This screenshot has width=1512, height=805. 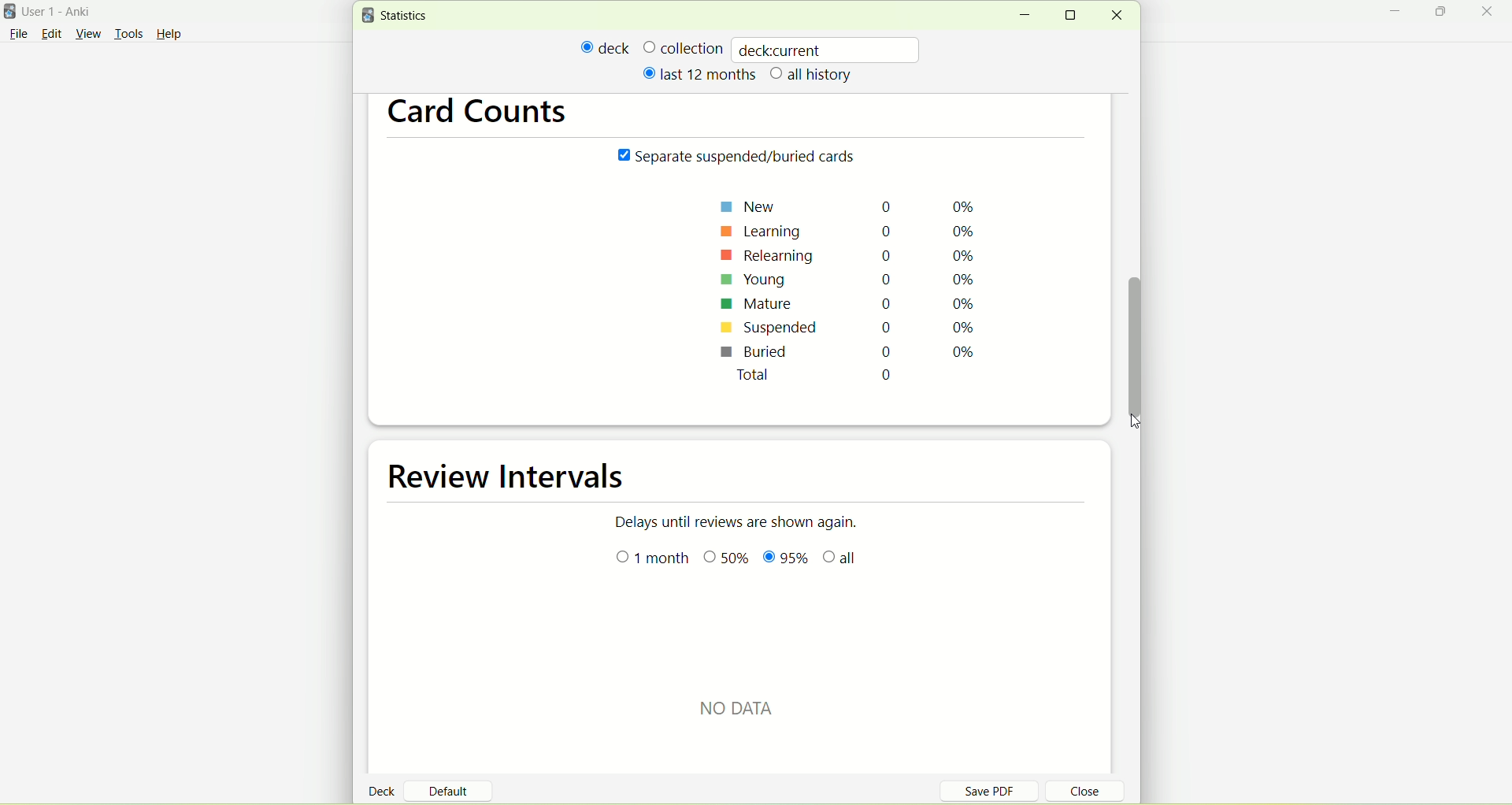 I want to click on default, so click(x=454, y=785).